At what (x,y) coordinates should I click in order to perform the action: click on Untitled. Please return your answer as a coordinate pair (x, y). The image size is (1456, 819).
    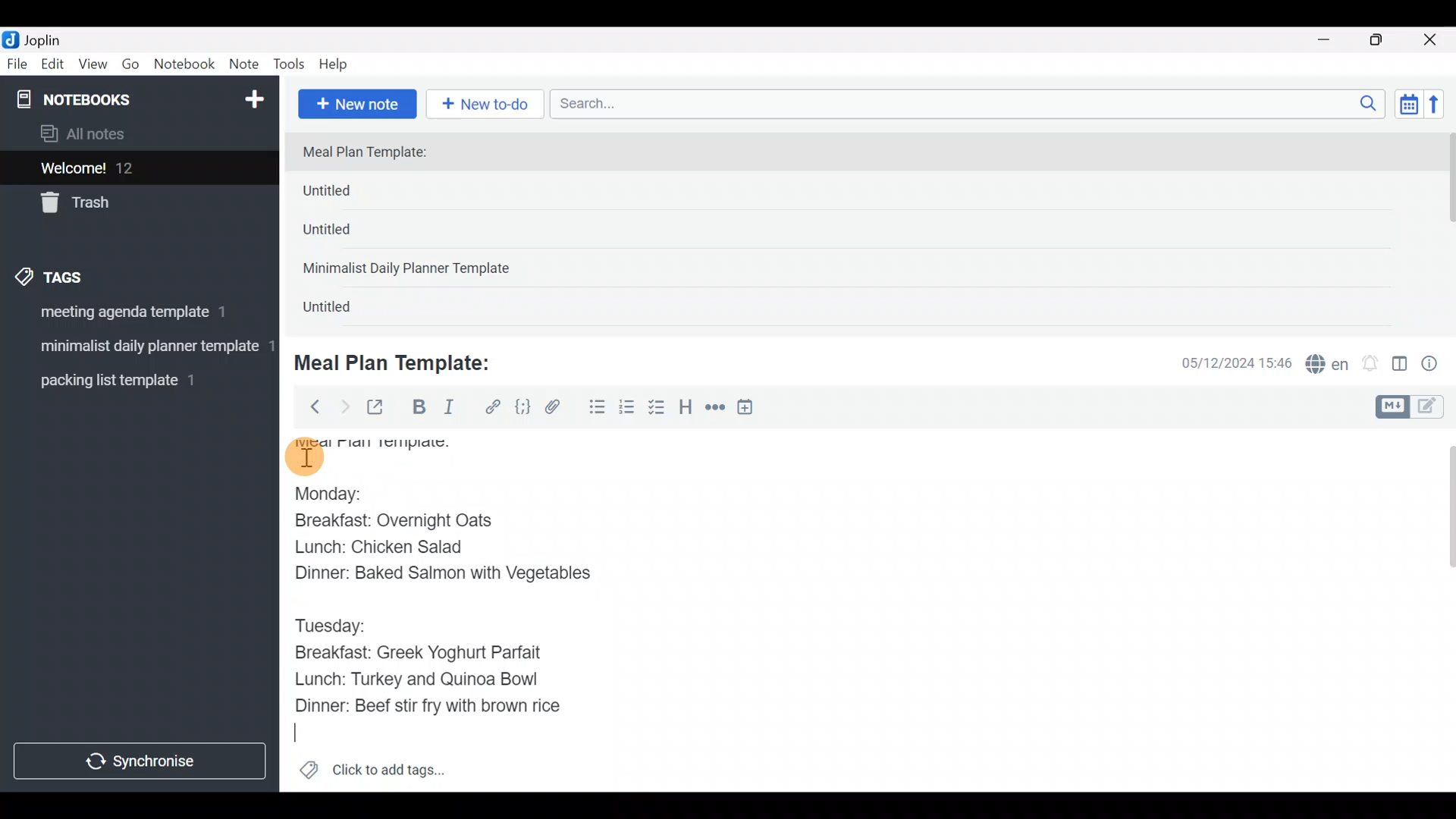
    Looking at the image, I should click on (347, 234).